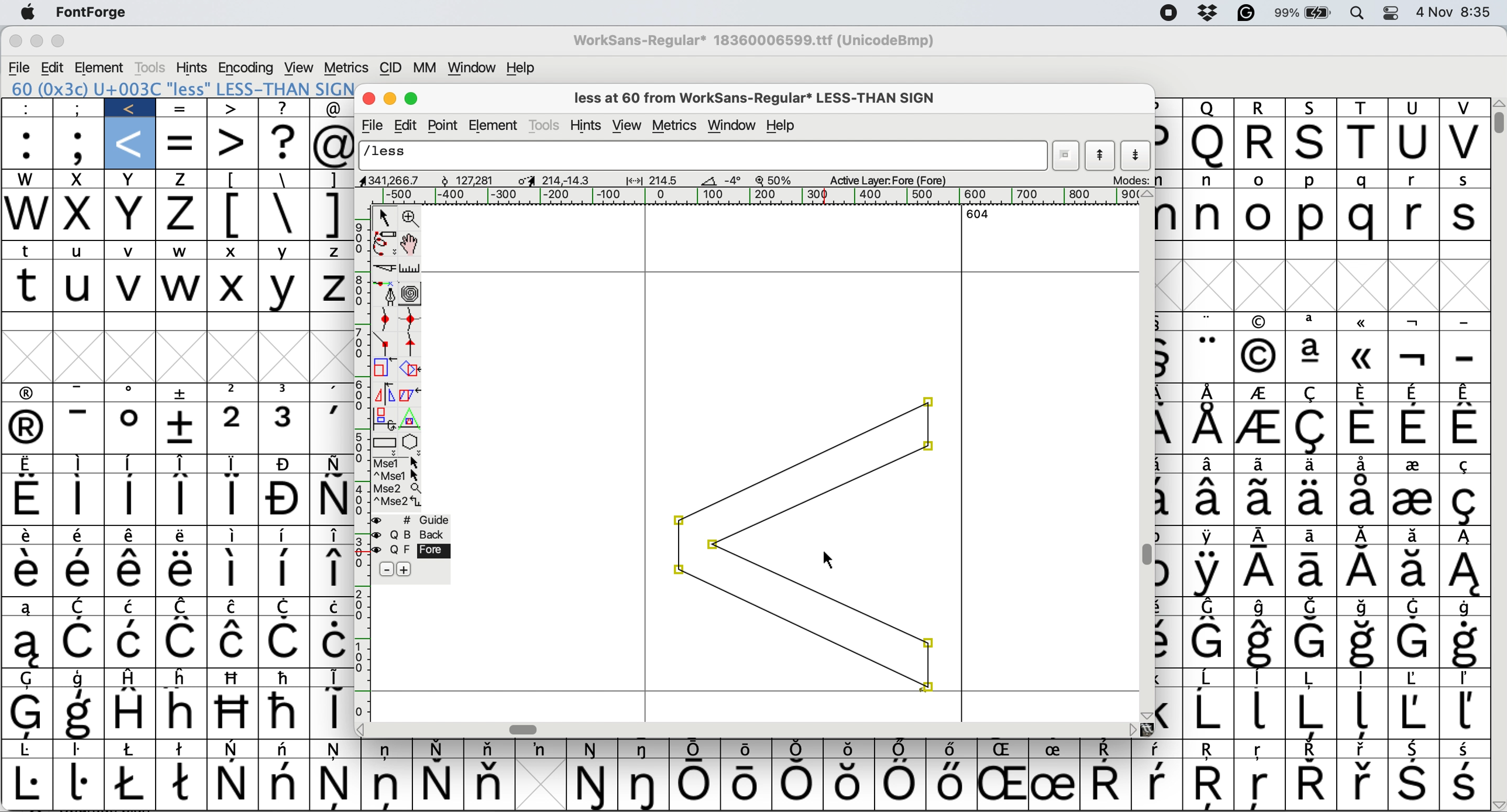 The image size is (1507, 812). I want to click on Symbol, so click(1210, 573).